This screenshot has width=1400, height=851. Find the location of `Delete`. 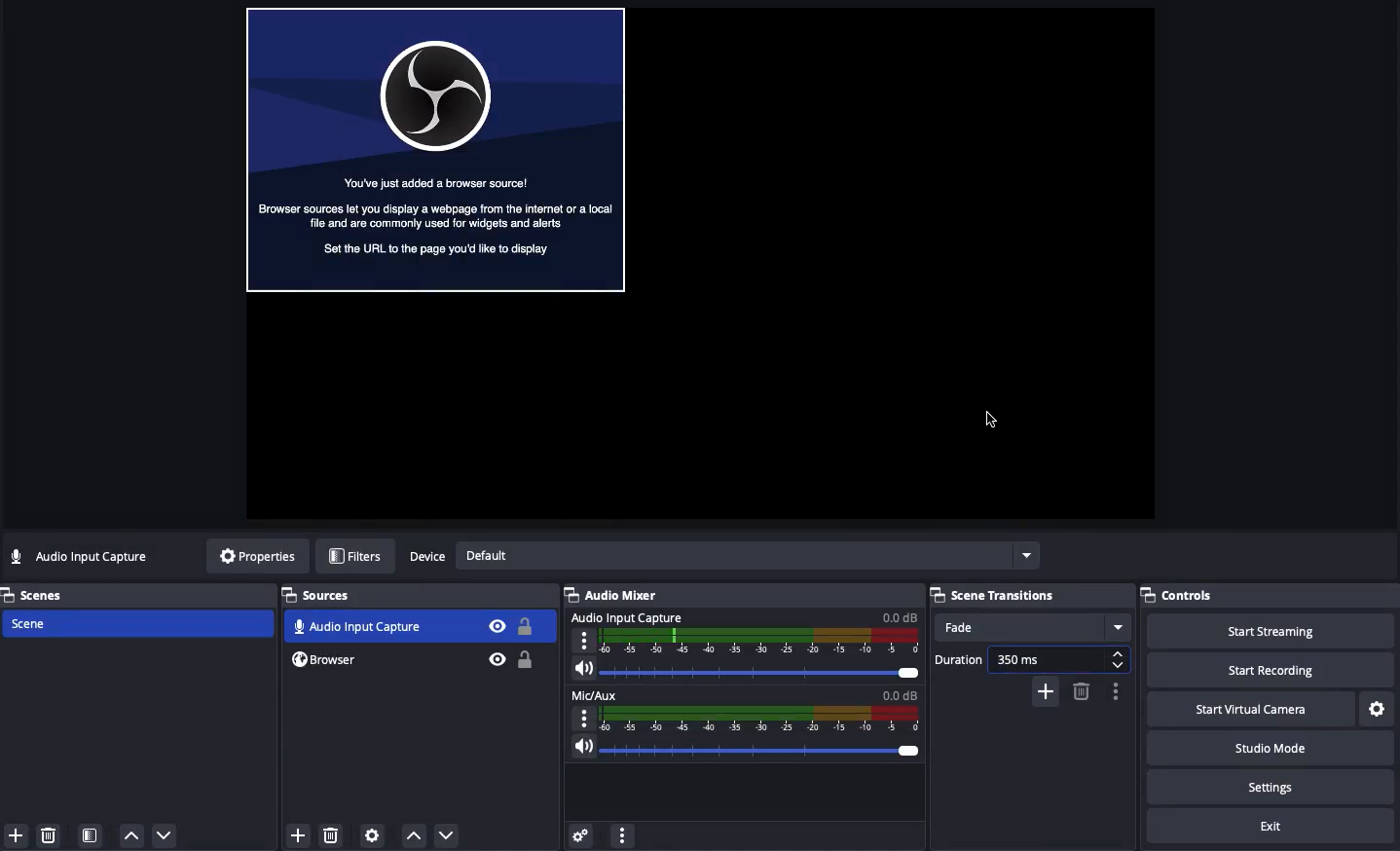

Delete is located at coordinates (51, 834).